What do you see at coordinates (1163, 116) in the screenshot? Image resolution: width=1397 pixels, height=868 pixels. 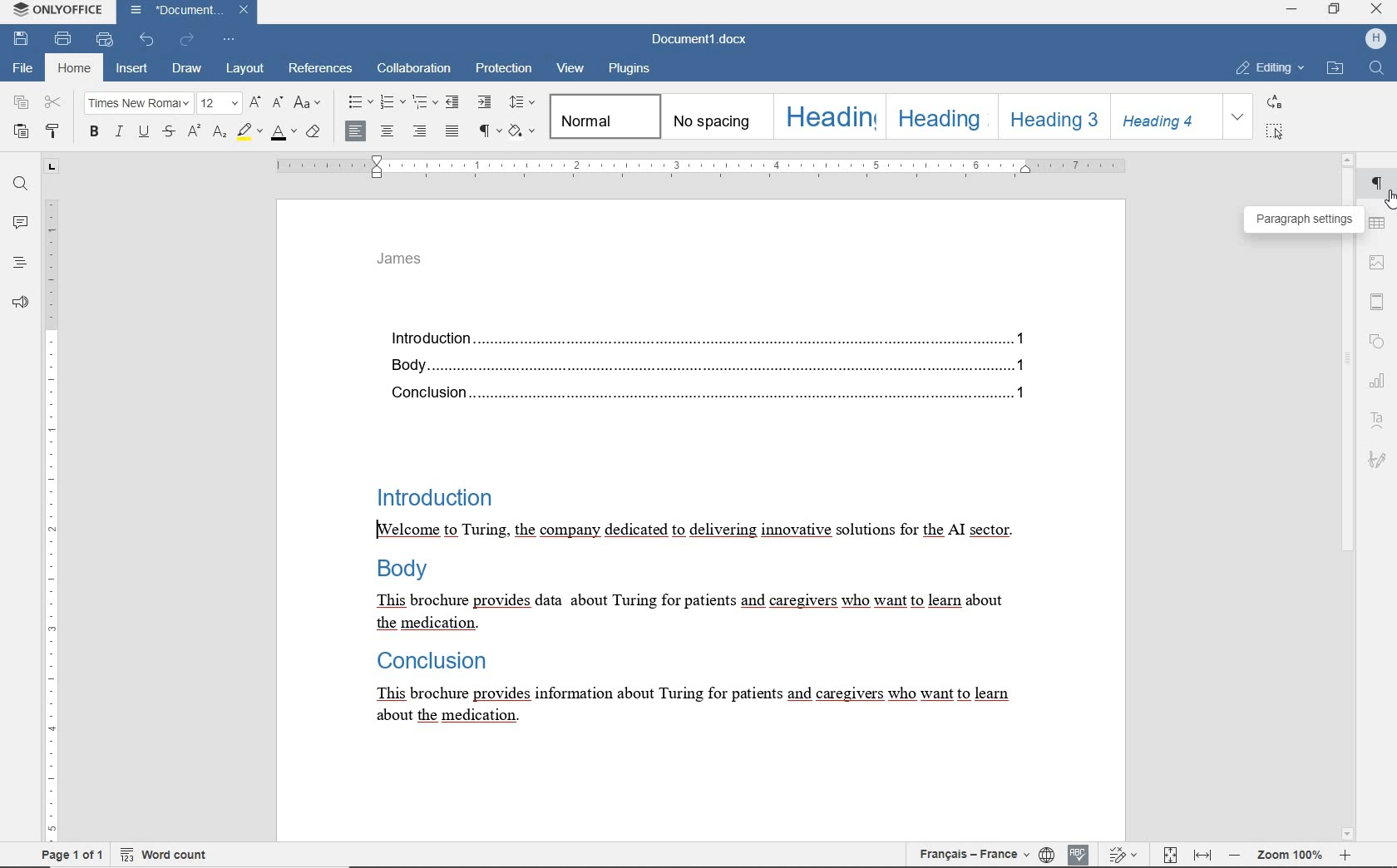 I see `heading 4` at bounding box center [1163, 116].